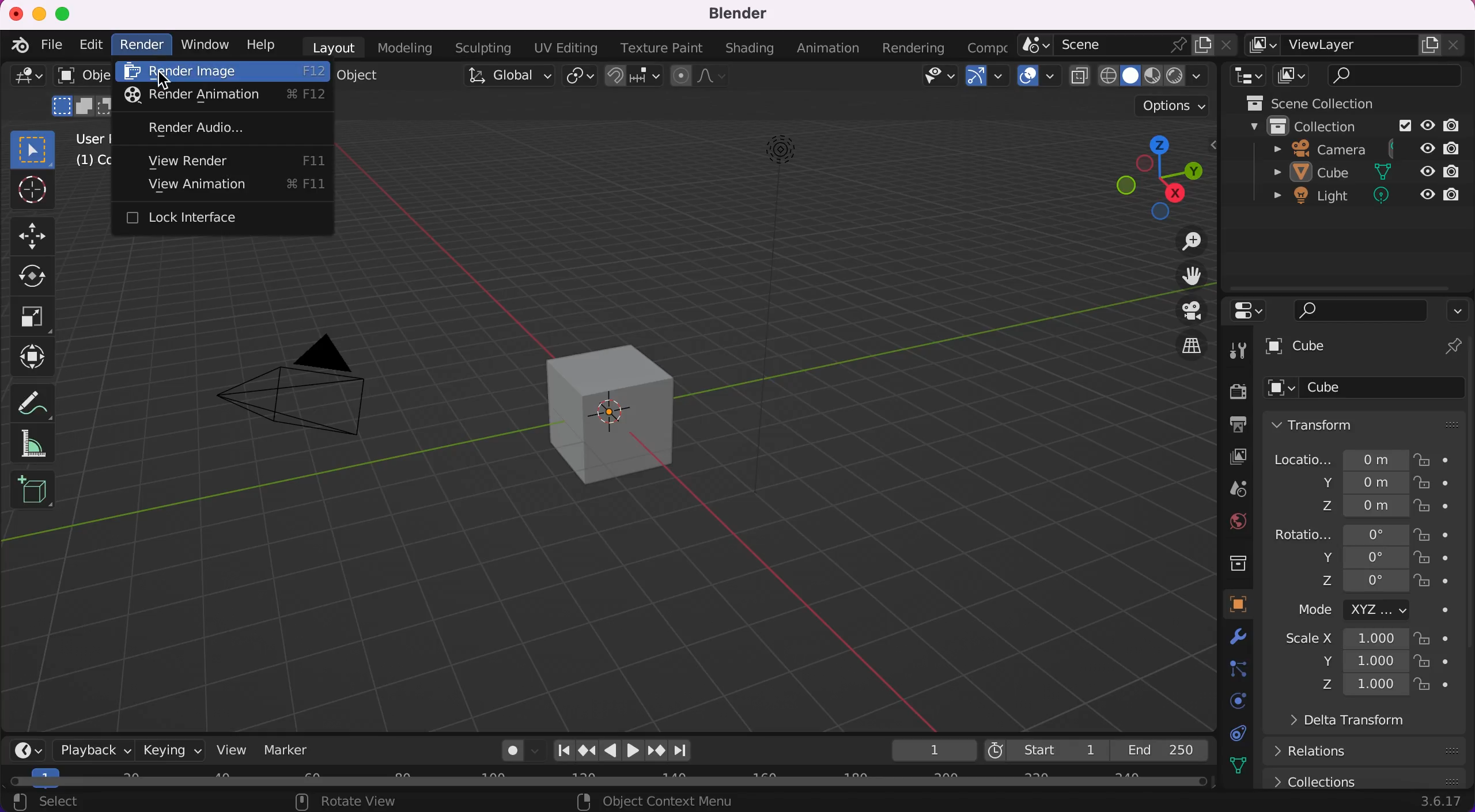 This screenshot has width=1475, height=812. What do you see at coordinates (702, 78) in the screenshot?
I see `proportional editing objects` at bounding box center [702, 78].